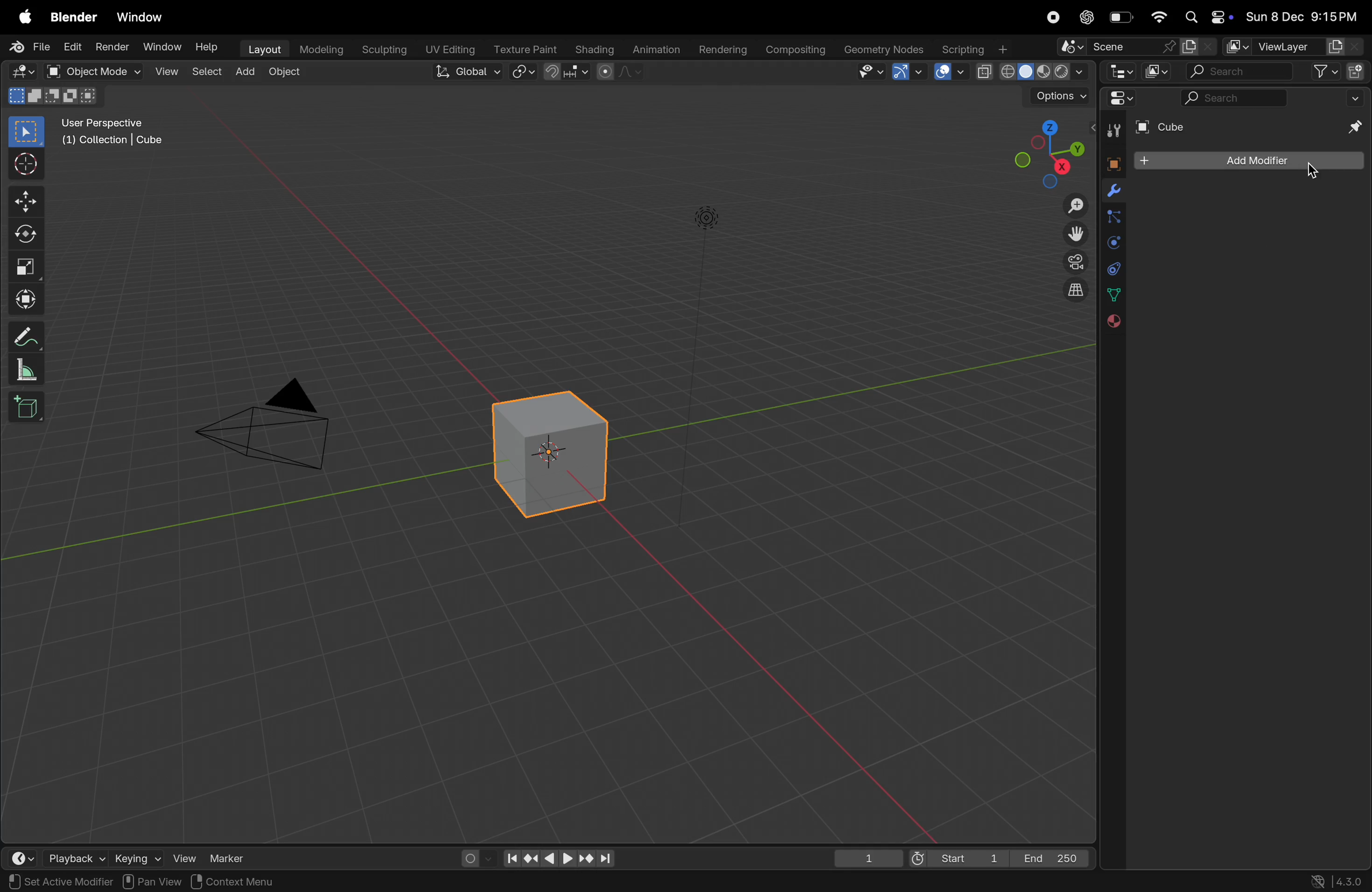  What do you see at coordinates (111, 143) in the screenshot?
I see `use collection cube` at bounding box center [111, 143].